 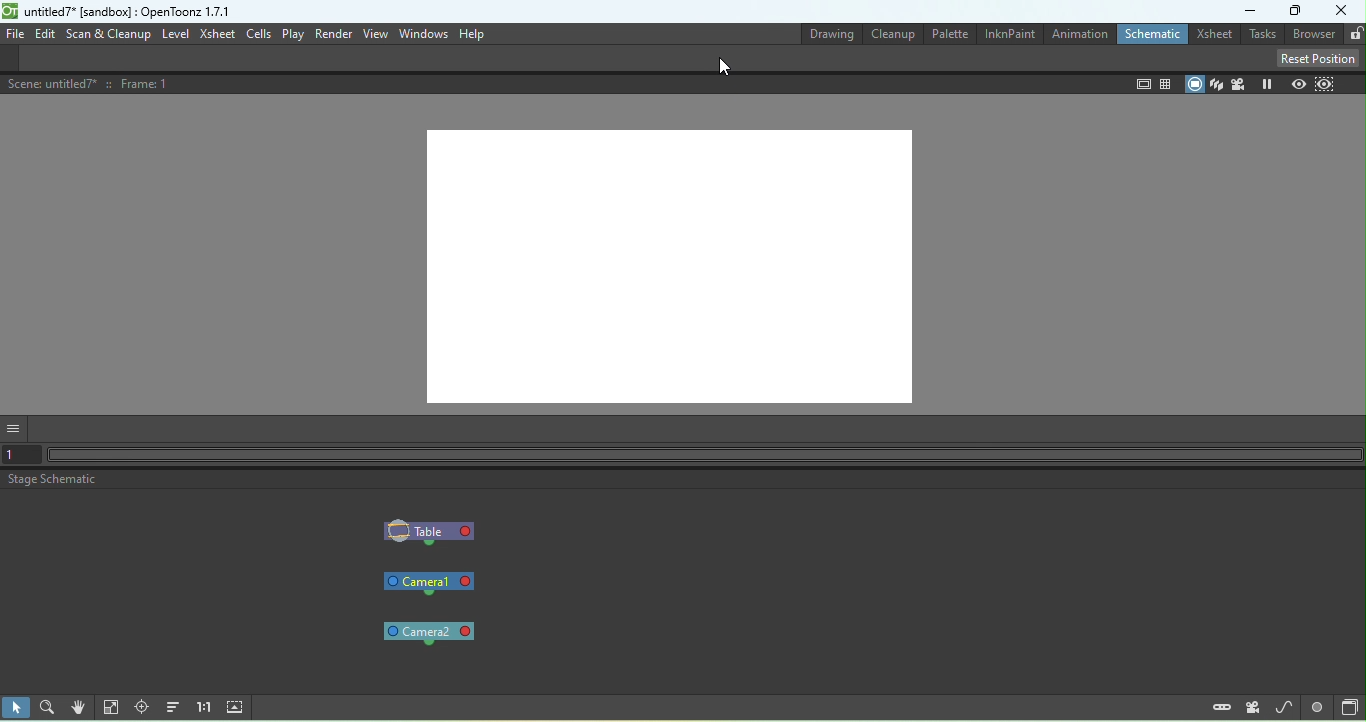 I want to click on Lock rooms tab, so click(x=1354, y=34).